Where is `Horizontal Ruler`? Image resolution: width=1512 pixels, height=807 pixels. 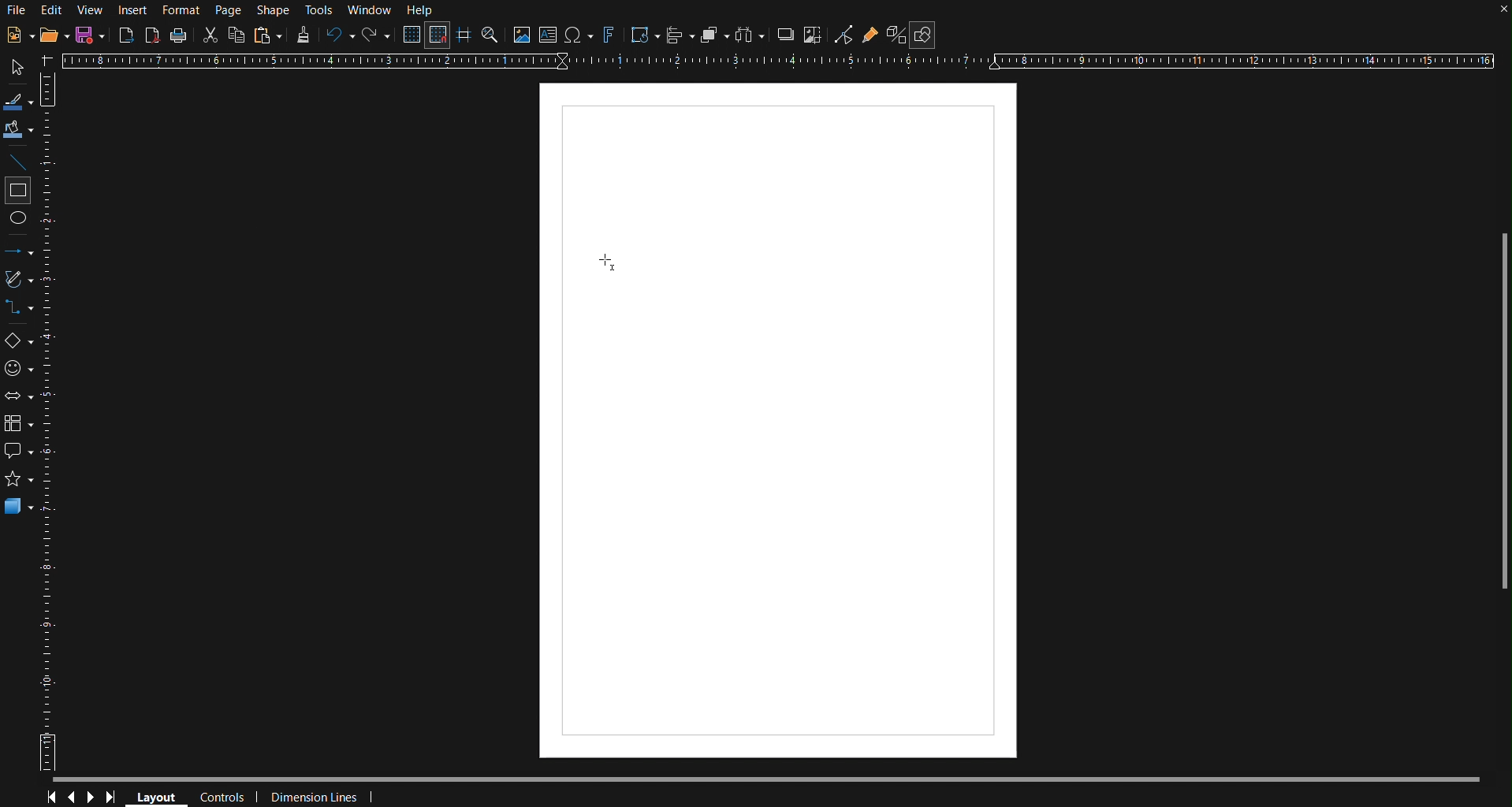
Horizontal Ruler is located at coordinates (776, 59).